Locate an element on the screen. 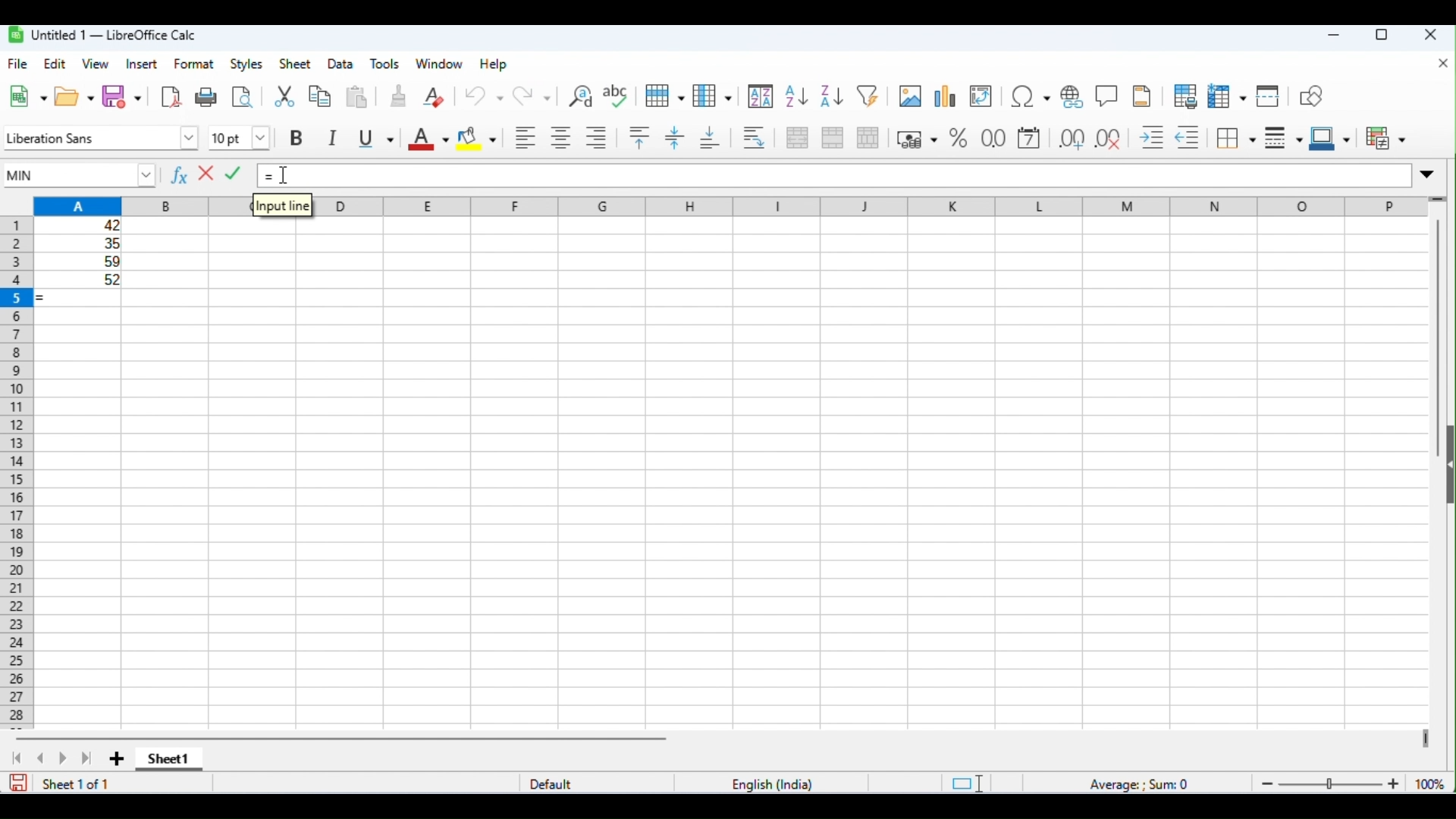  drag to view next columns is located at coordinates (1423, 739).